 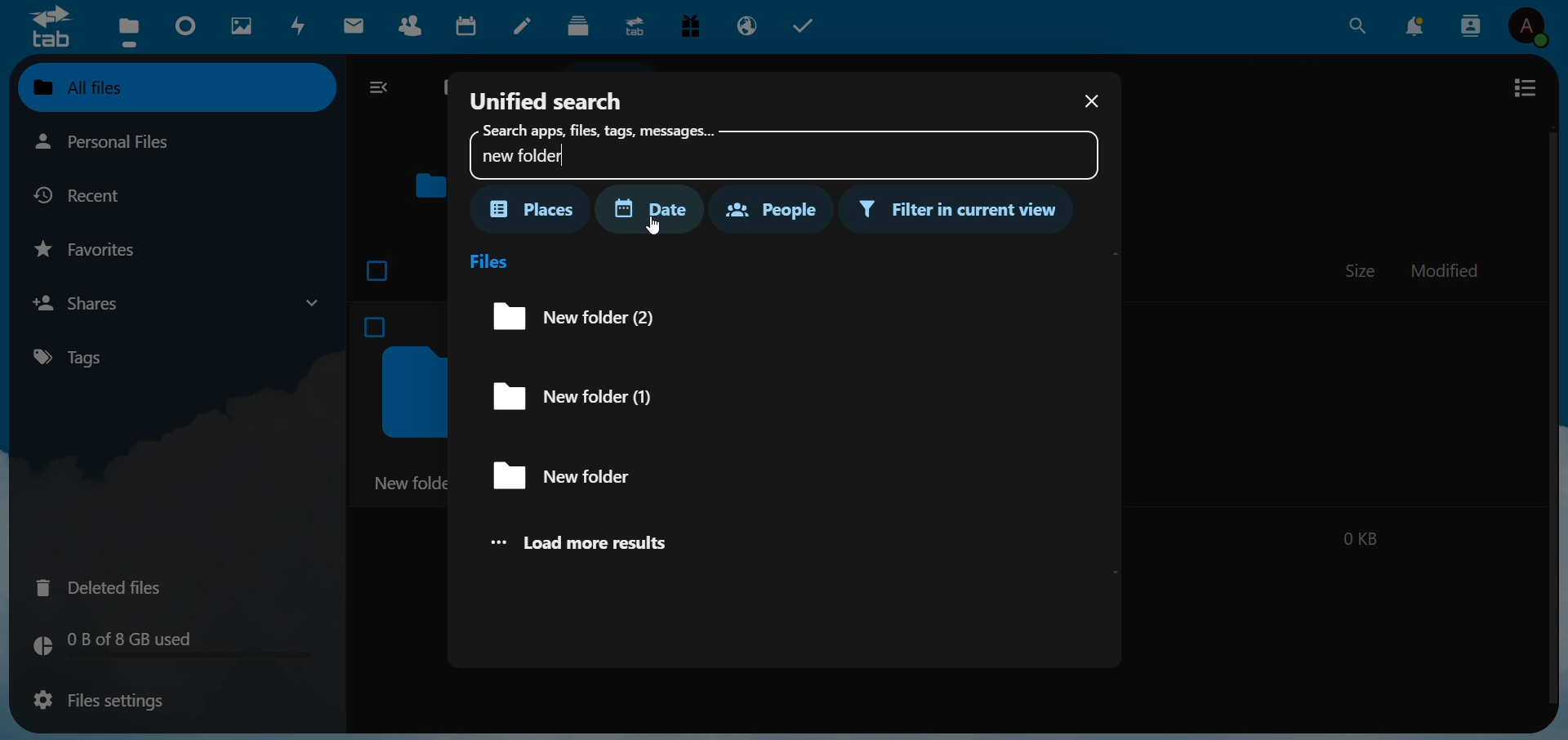 What do you see at coordinates (565, 315) in the screenshot?
I see `new folder 2` at bounding box center [565, 315].